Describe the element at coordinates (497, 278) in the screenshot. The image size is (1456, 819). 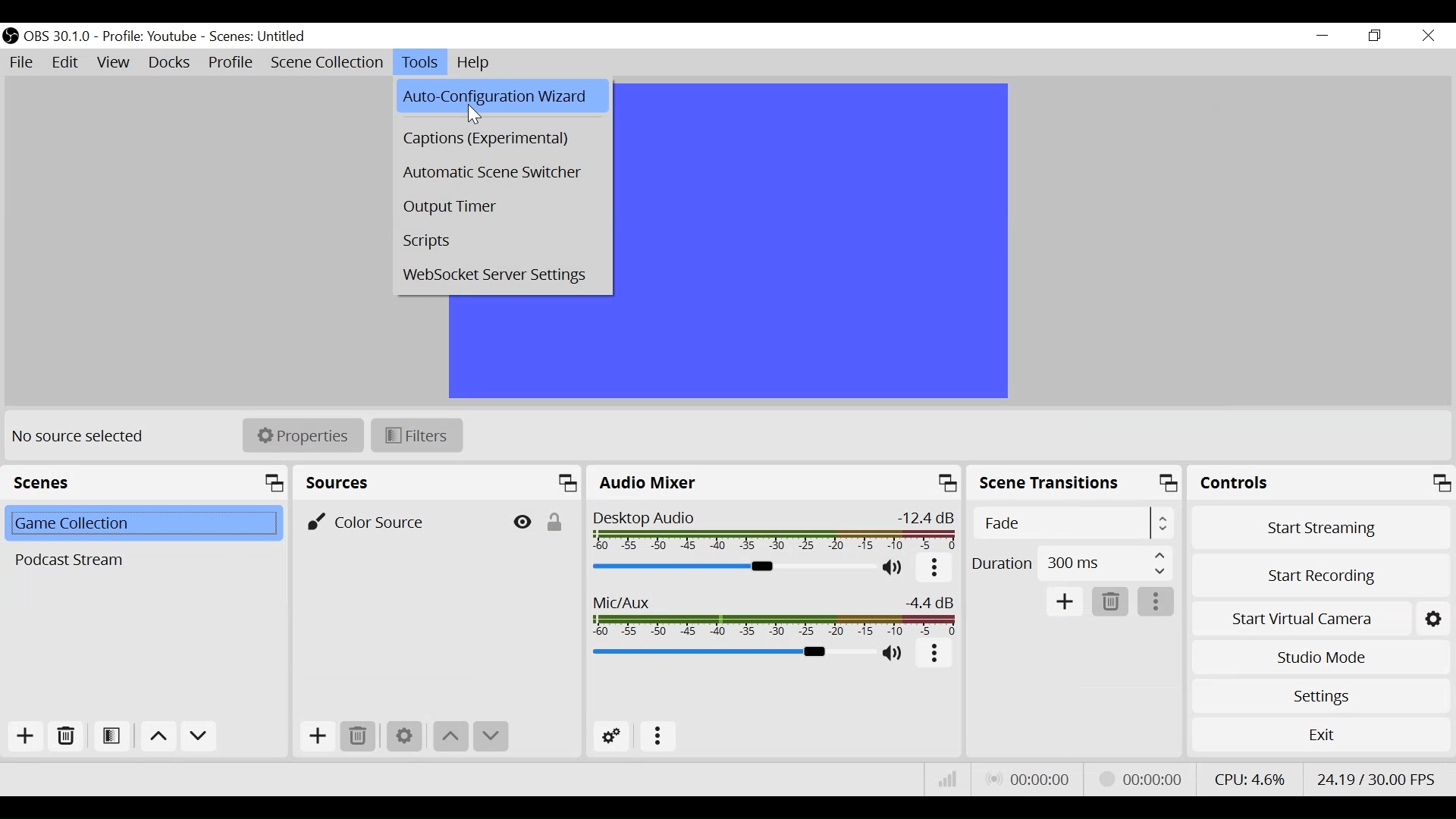
I see `WebSocket Server Settings` at that location.